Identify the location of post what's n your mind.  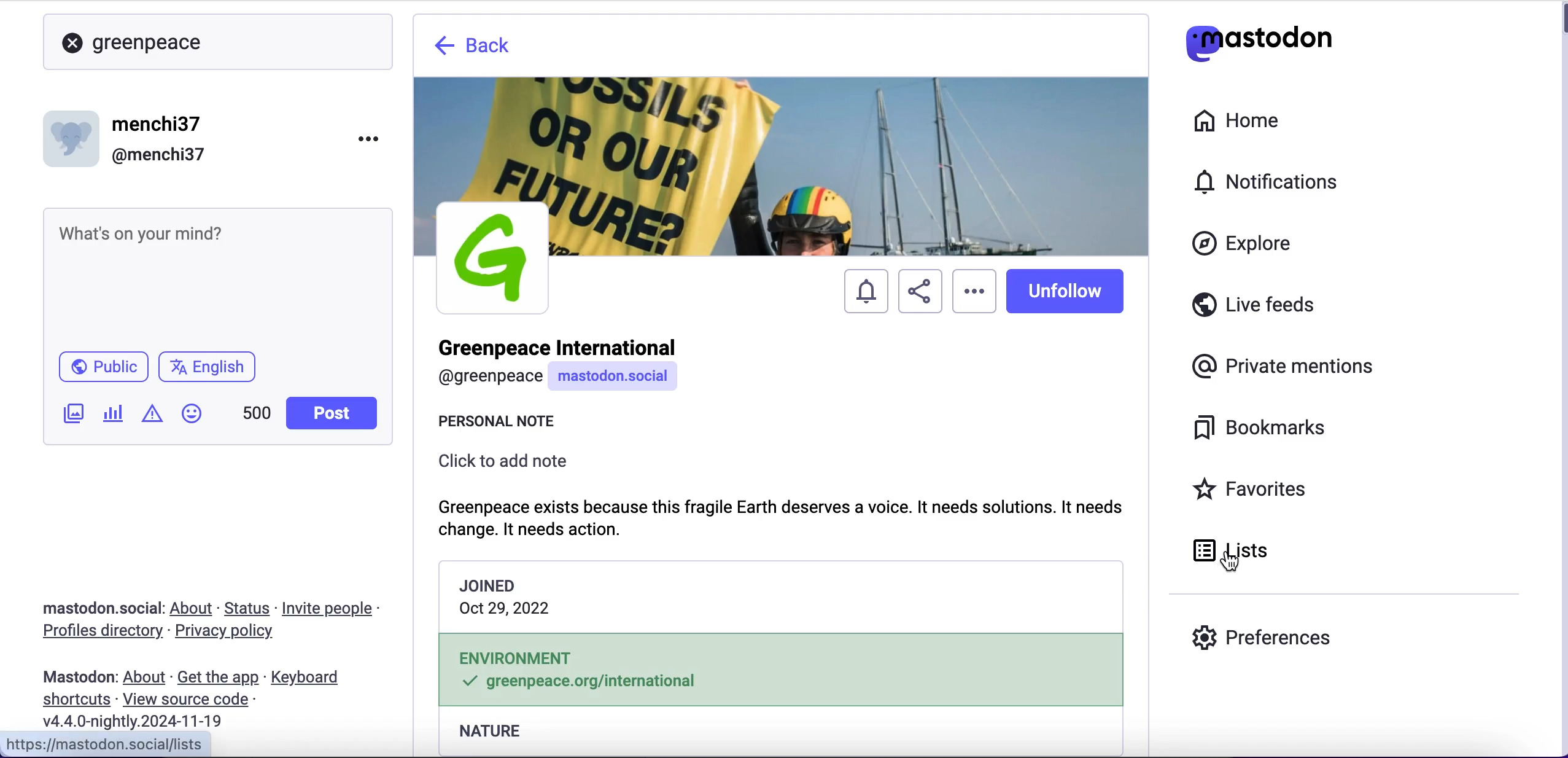
(219, 276).